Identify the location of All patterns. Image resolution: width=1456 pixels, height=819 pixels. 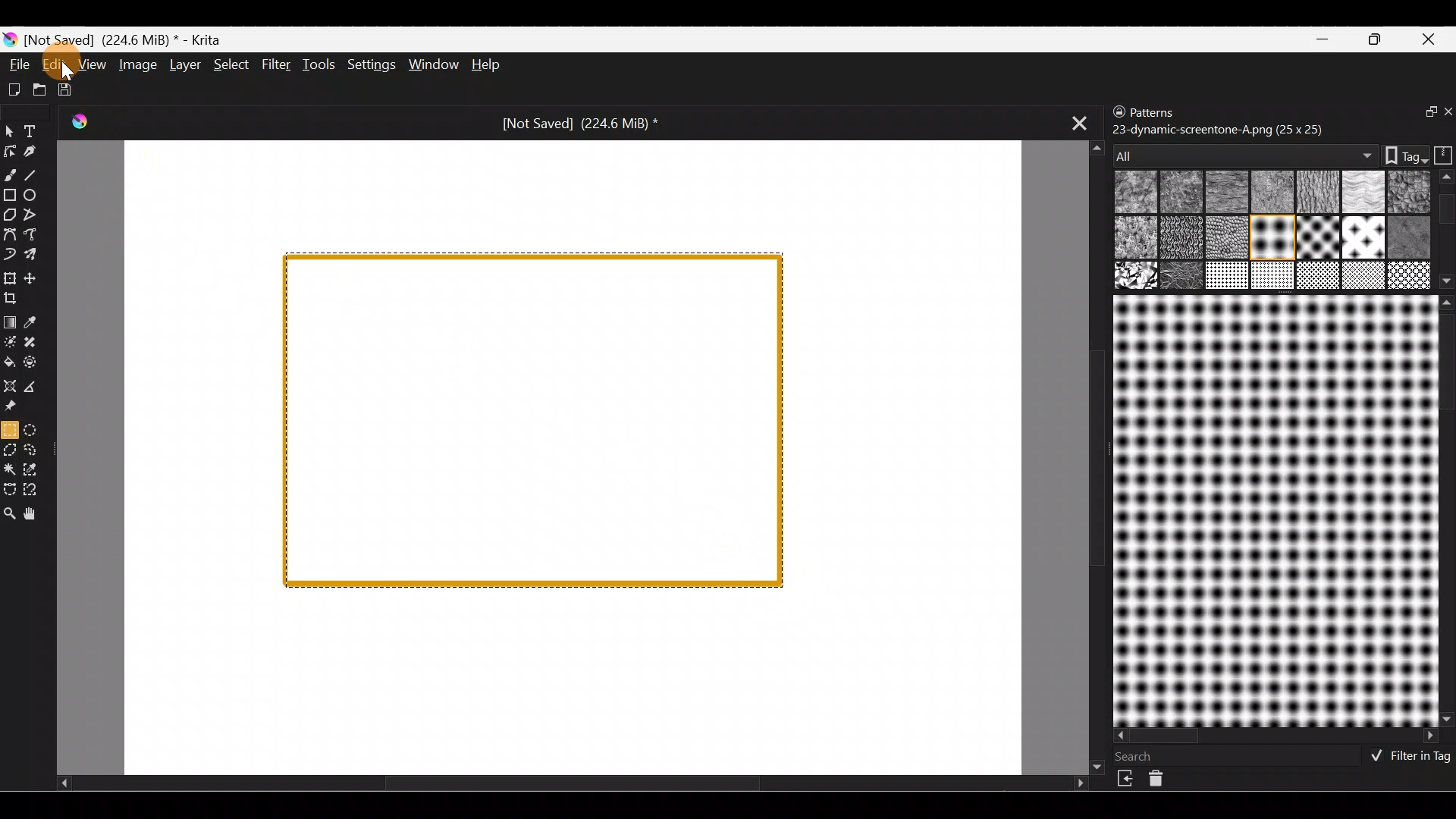
(1241, 151).